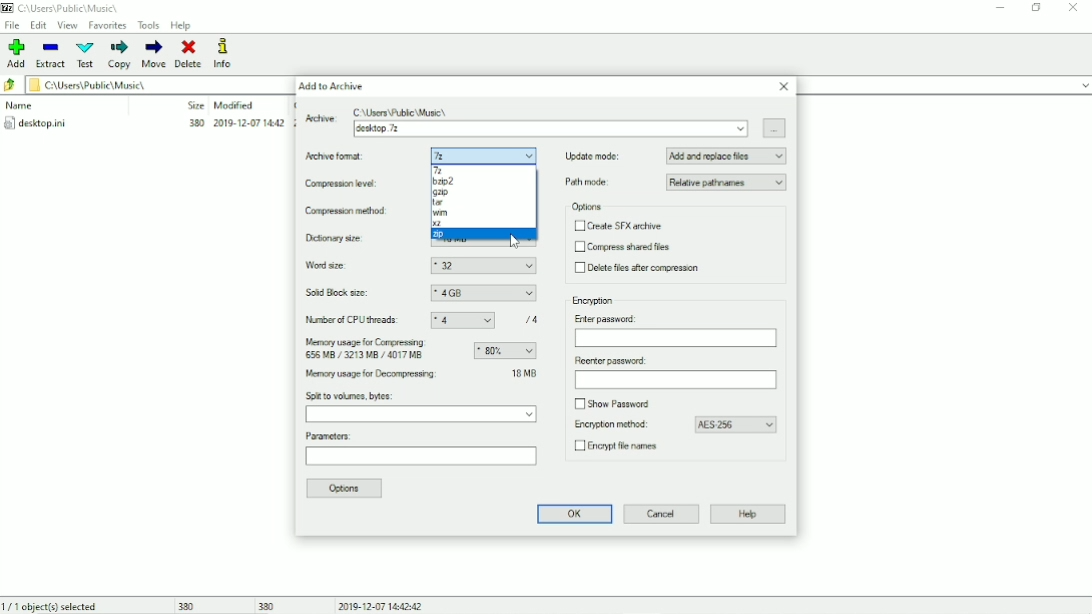 This screenshot has height=614, width=1092. I want to click on Word size, so click(422, 266).